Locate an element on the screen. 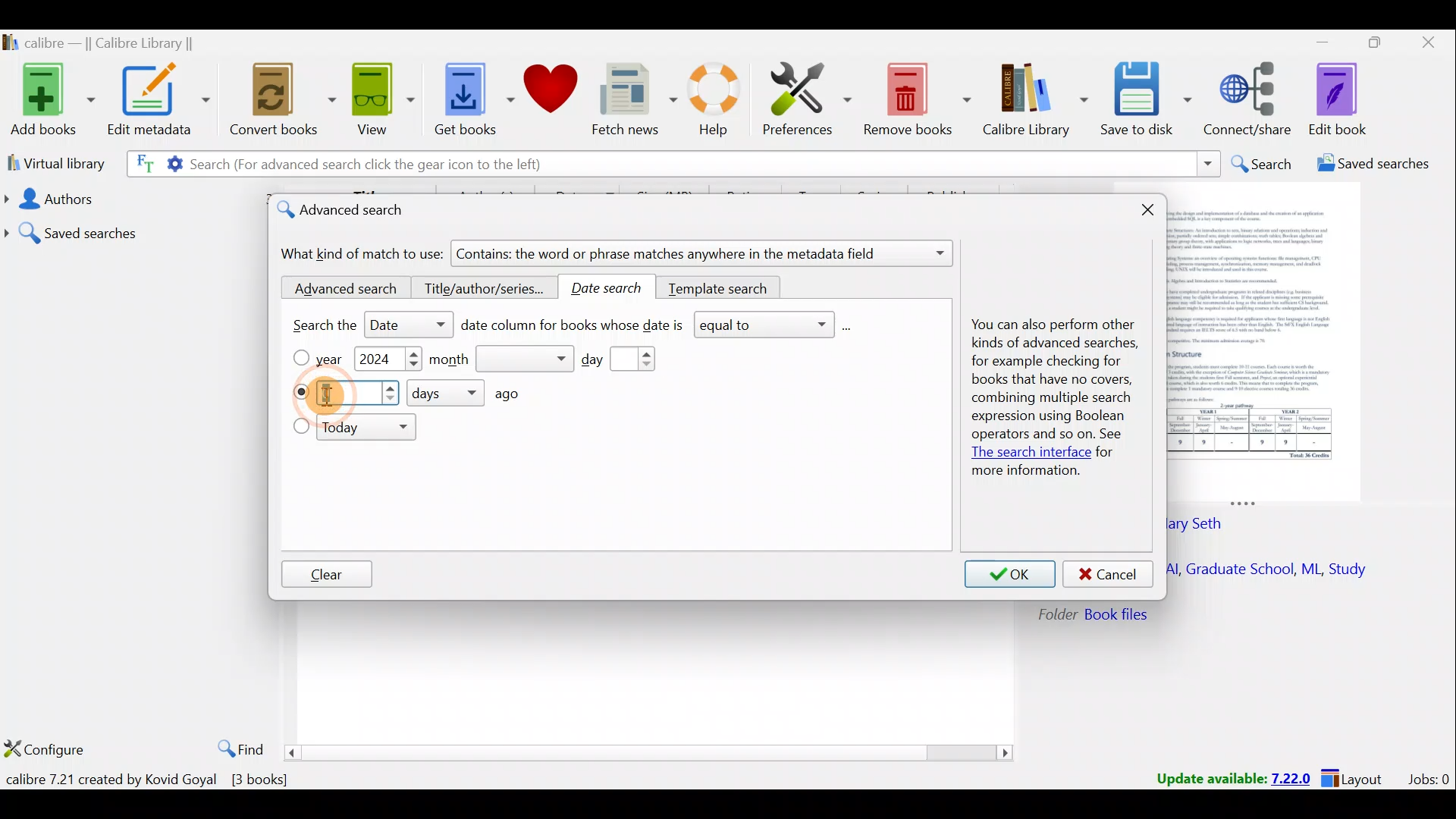 The height and width of the screenshot is (819, 1456). Get books is located at coordinates (468, 97).